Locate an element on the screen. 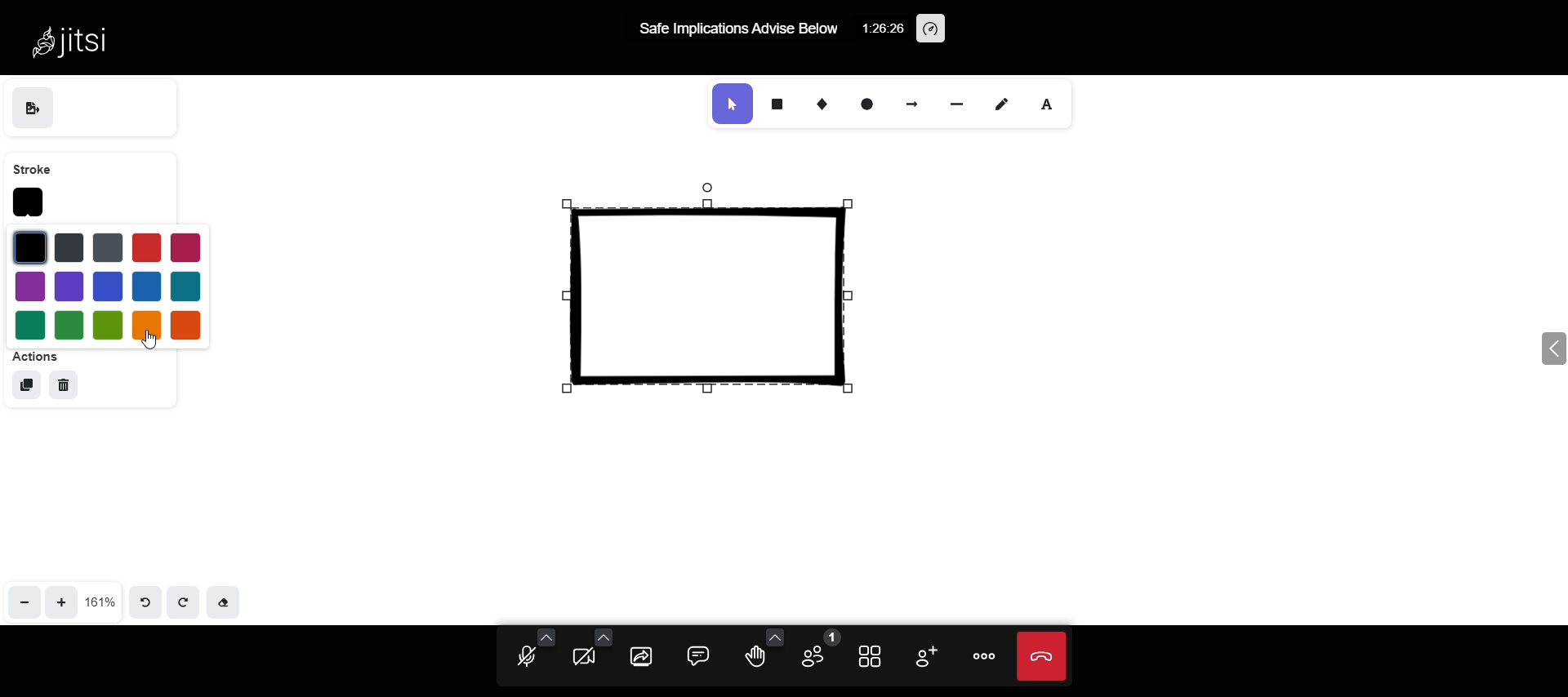 Image resolution: width=1568 pixels, height=697 pixels. invite participants is located at coordinates (924, 659).